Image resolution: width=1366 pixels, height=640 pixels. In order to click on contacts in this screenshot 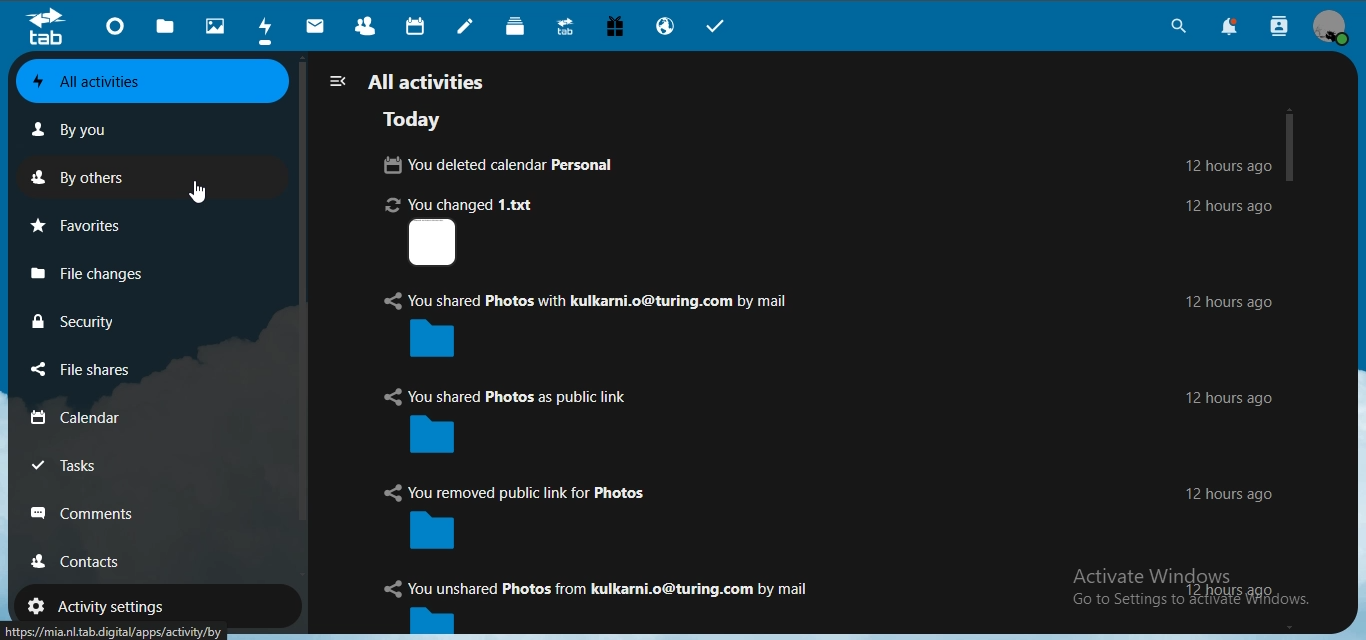, I will do `click(94, 561)`.